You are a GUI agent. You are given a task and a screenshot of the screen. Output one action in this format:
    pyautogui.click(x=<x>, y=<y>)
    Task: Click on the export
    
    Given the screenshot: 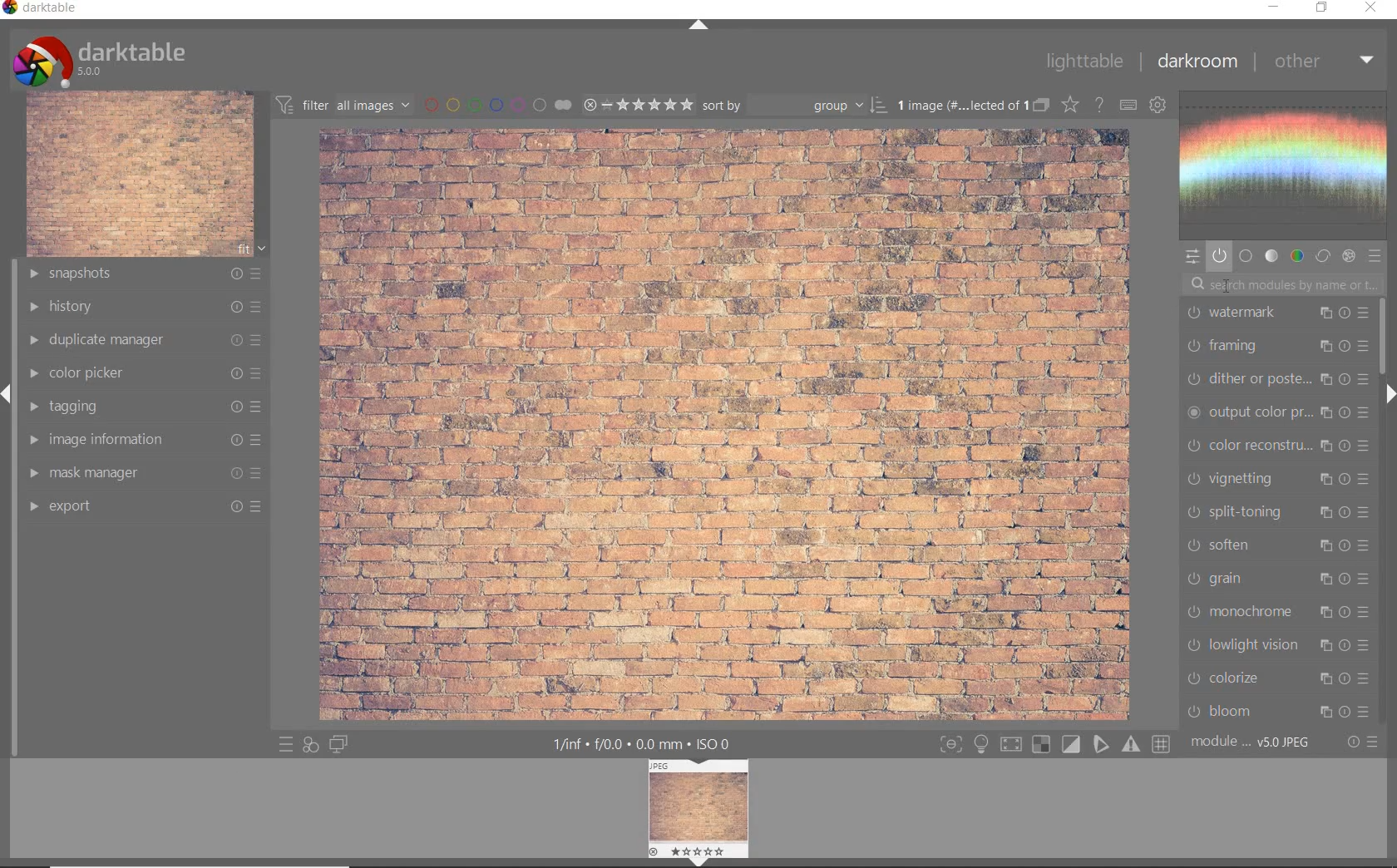 What is the action you would take?
    pyautogui.click(x=144, y=509)
    